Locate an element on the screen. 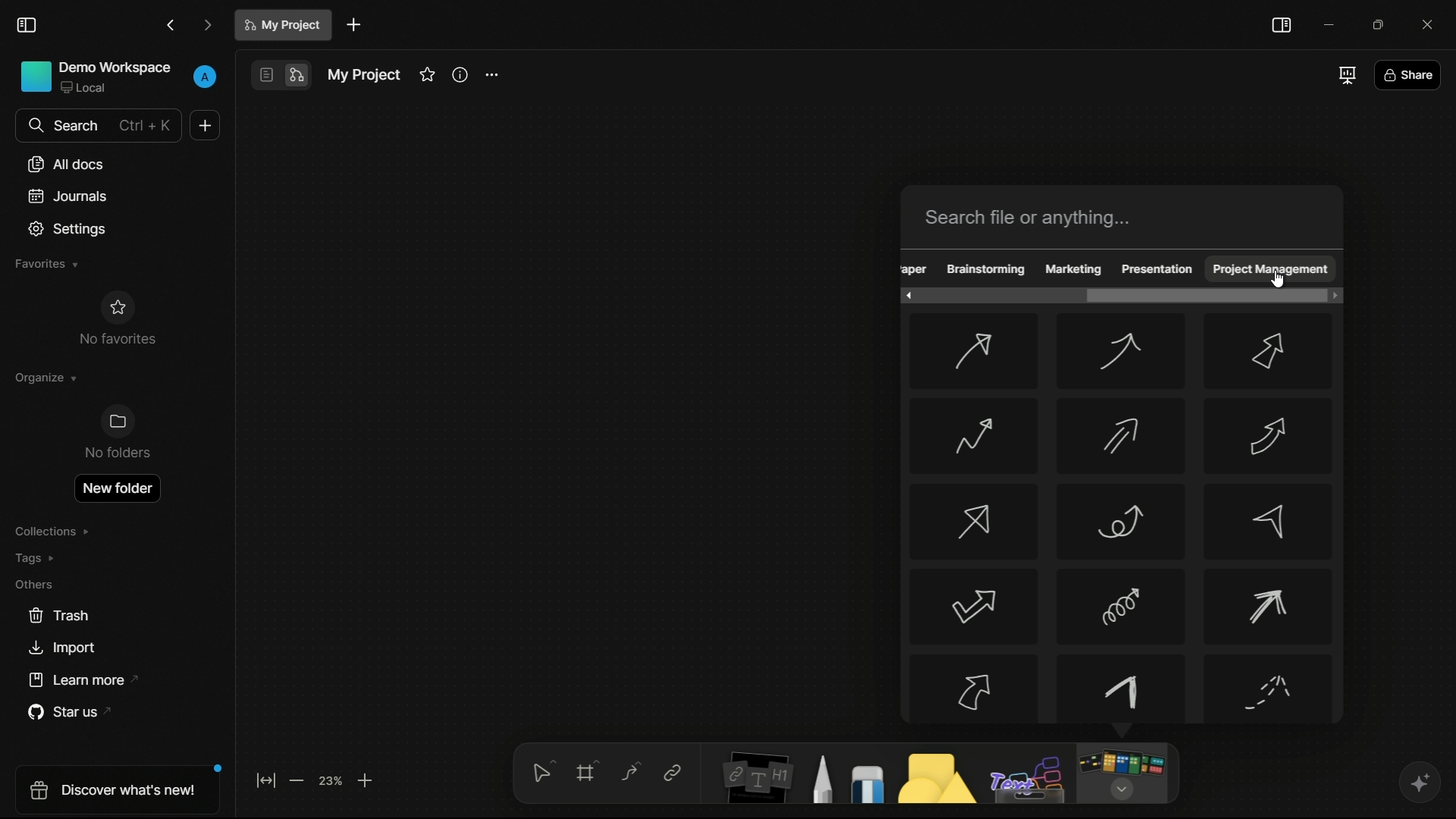 The width and height of the screenshot is (1456, 819). collections is located at coordinates (52, 532).